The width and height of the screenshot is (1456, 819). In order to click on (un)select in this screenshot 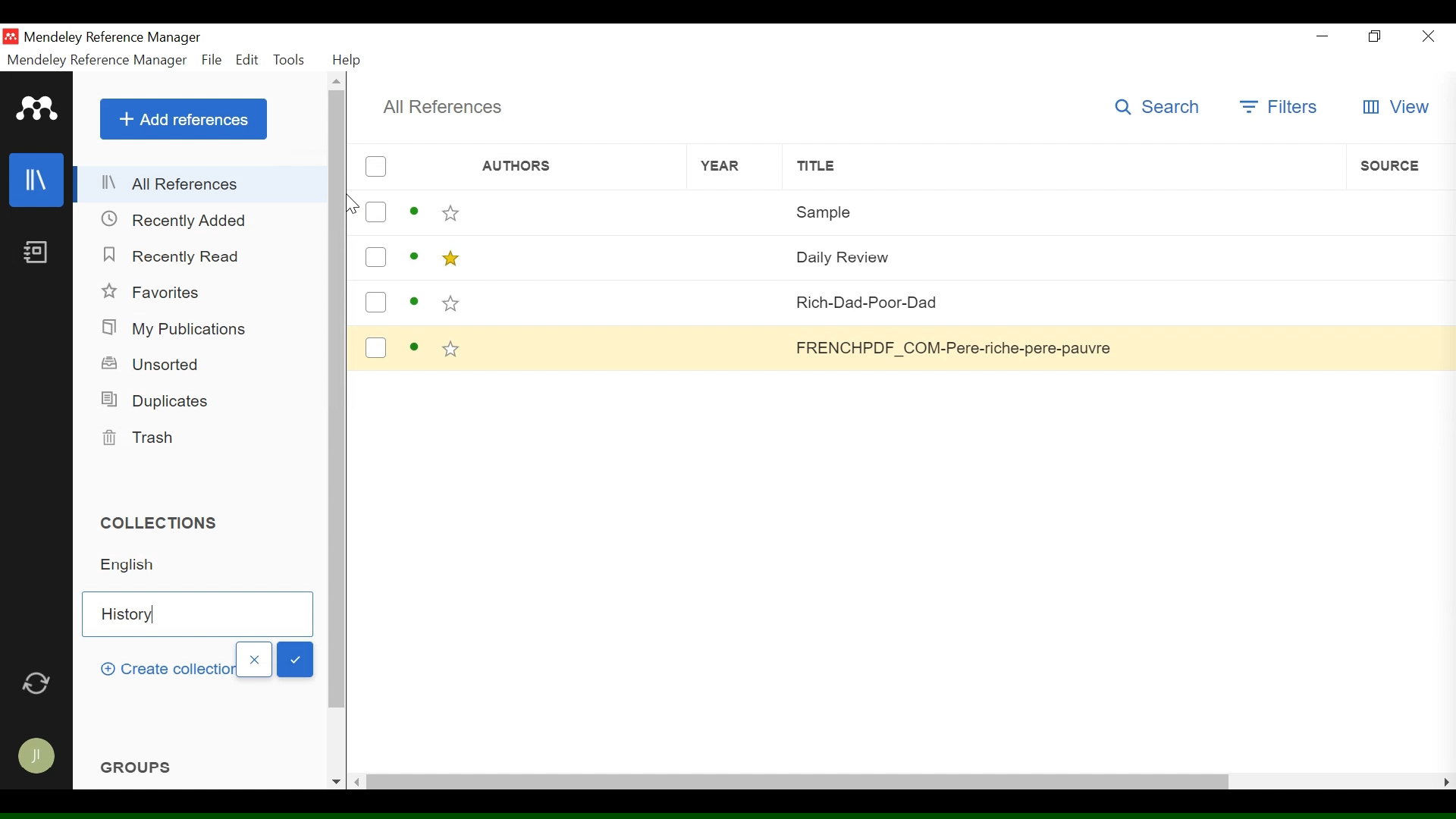, I will do `click(375, 214)`.